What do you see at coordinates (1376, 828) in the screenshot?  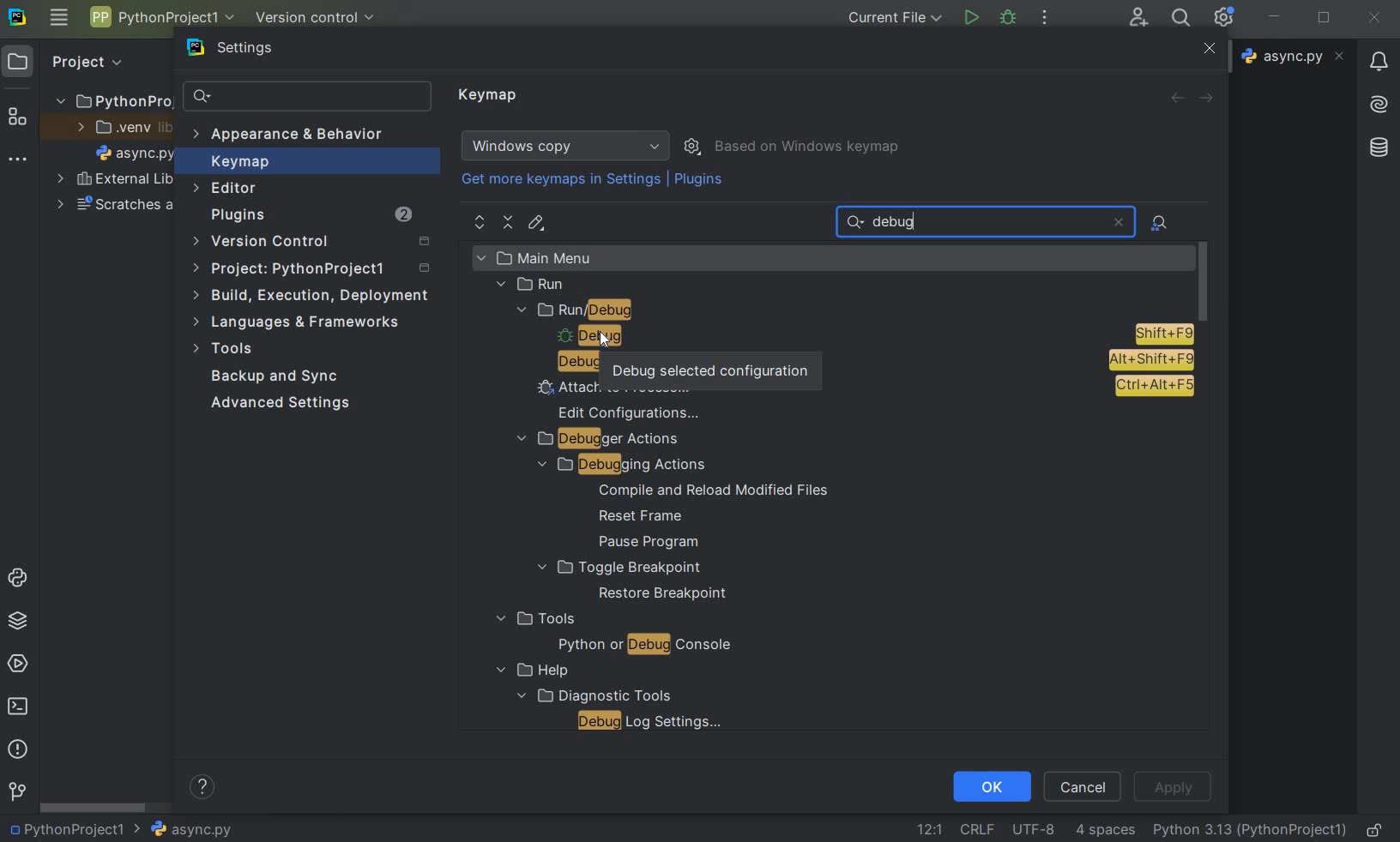 I see `make file readable only` at bounding box center [1376, 828].